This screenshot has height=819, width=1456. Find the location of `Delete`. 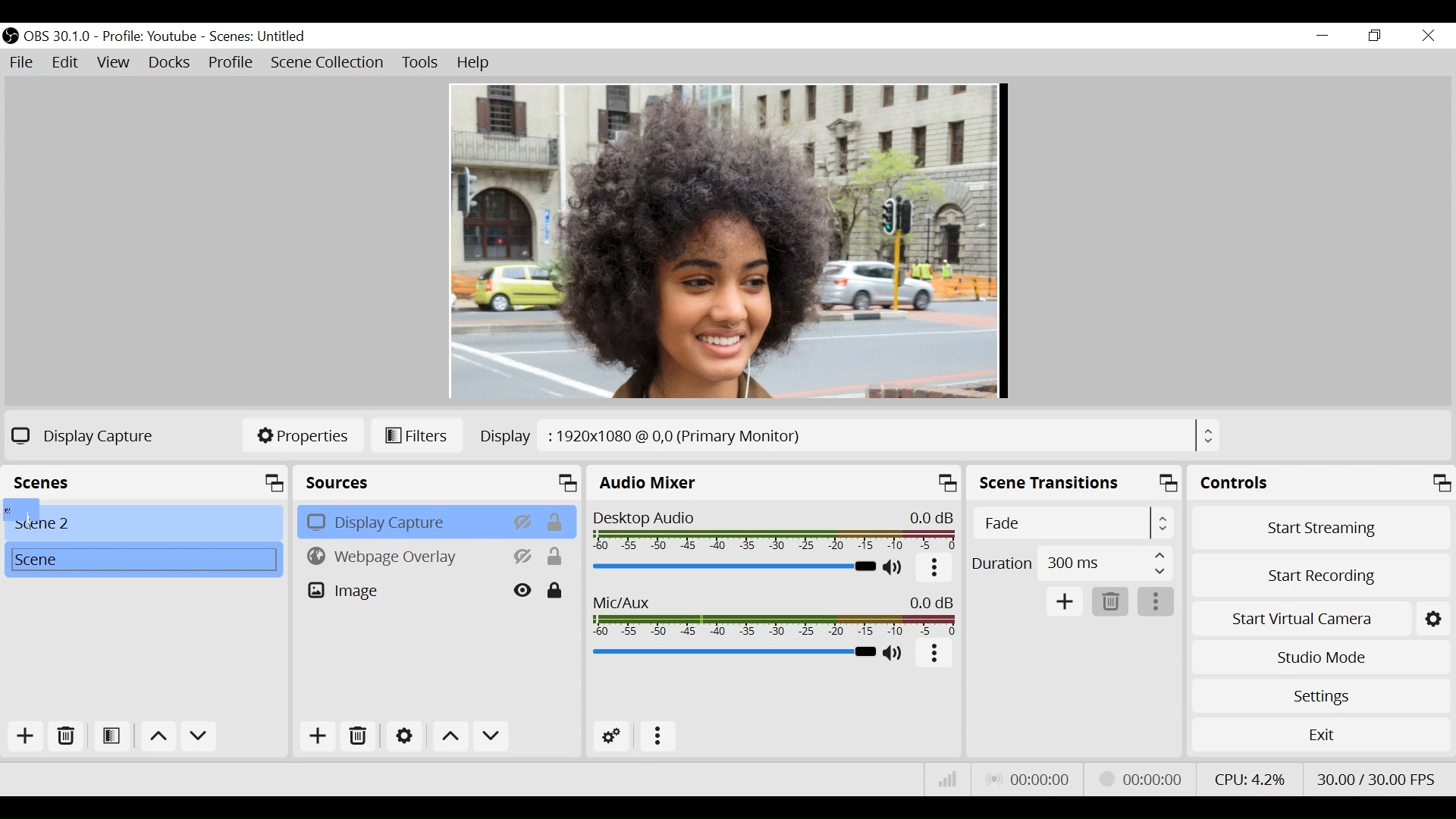

Delete is located at coordinates (67, 736).